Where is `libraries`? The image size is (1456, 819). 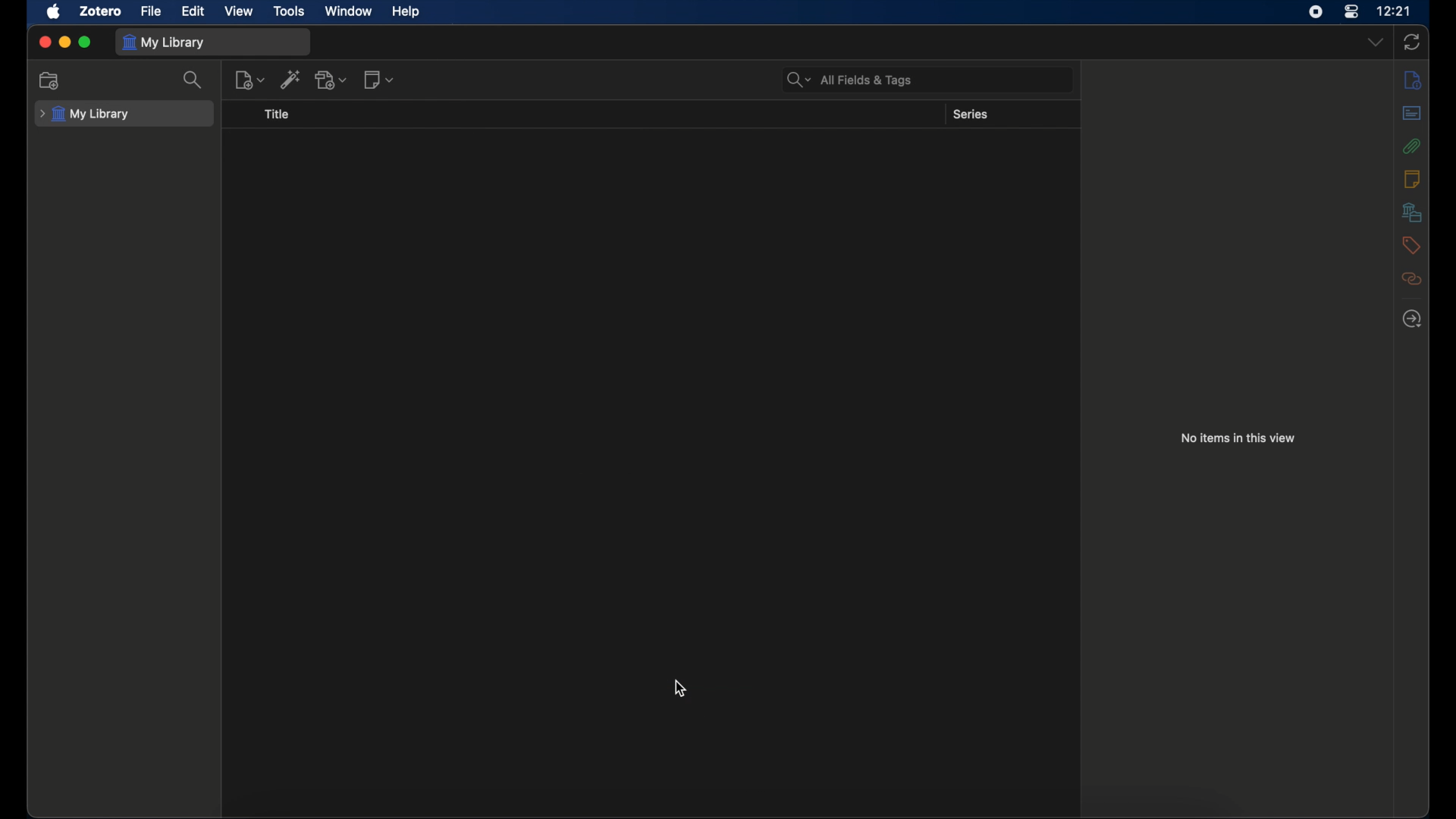
libraries is located at coordinates (1412, 212).